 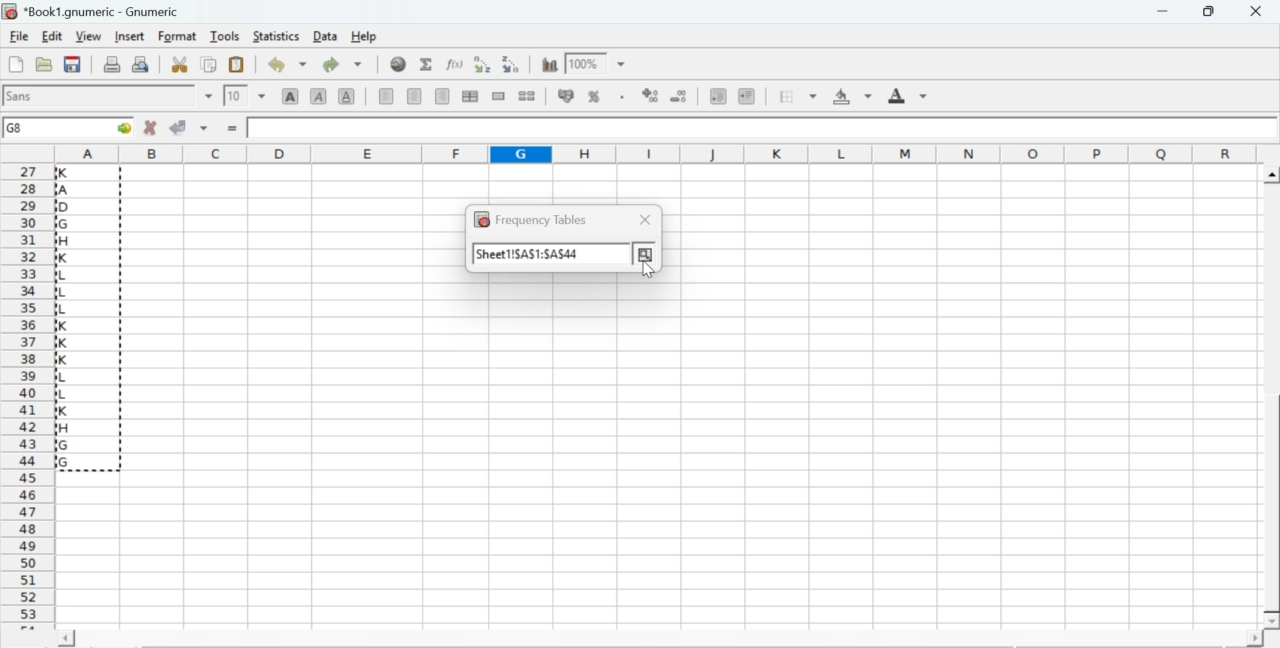 I want to click on alphabets, so click(x=73, y=319).